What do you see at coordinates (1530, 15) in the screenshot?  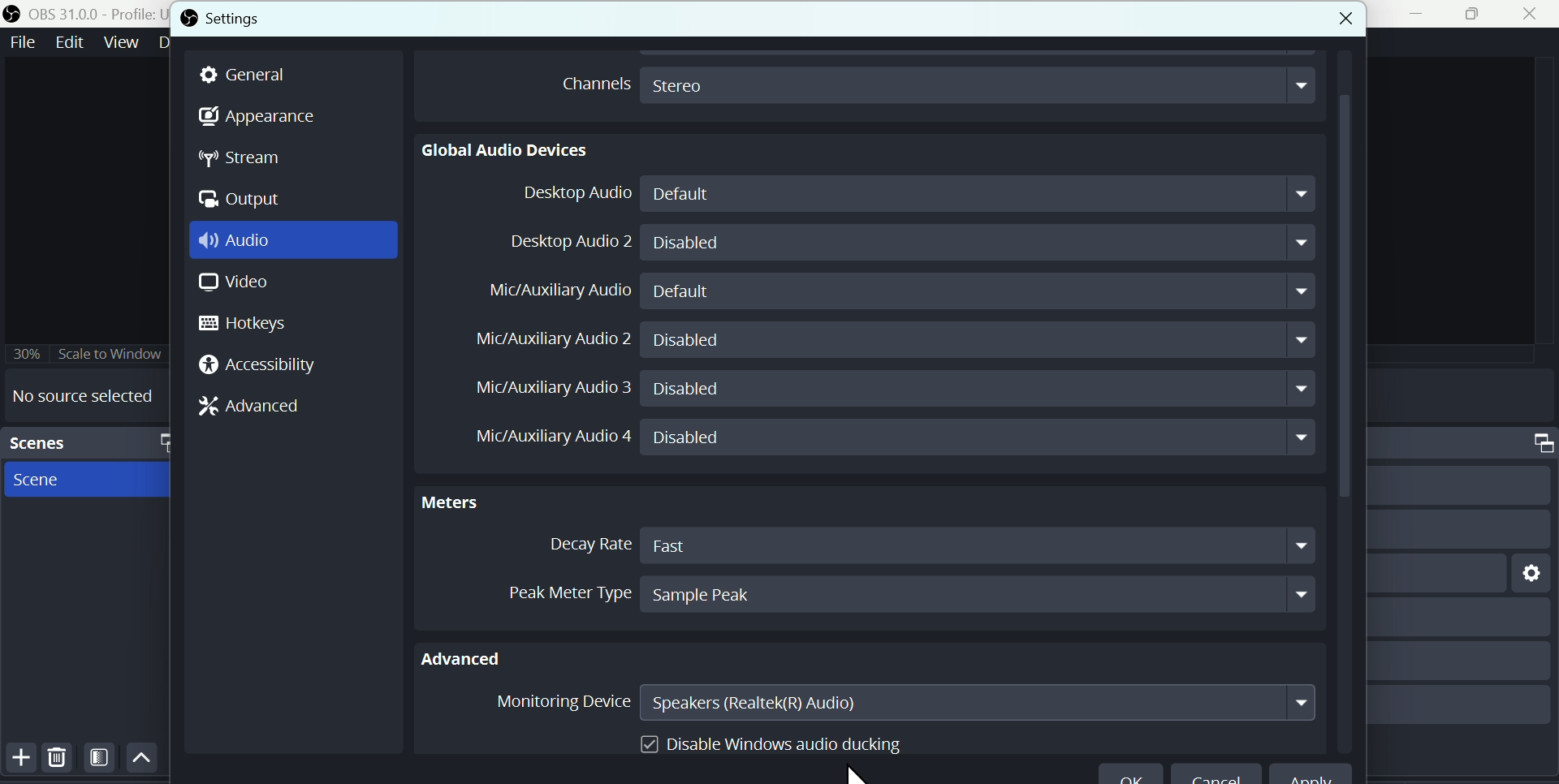 I see `Close` at bounding box center [1530, 15].